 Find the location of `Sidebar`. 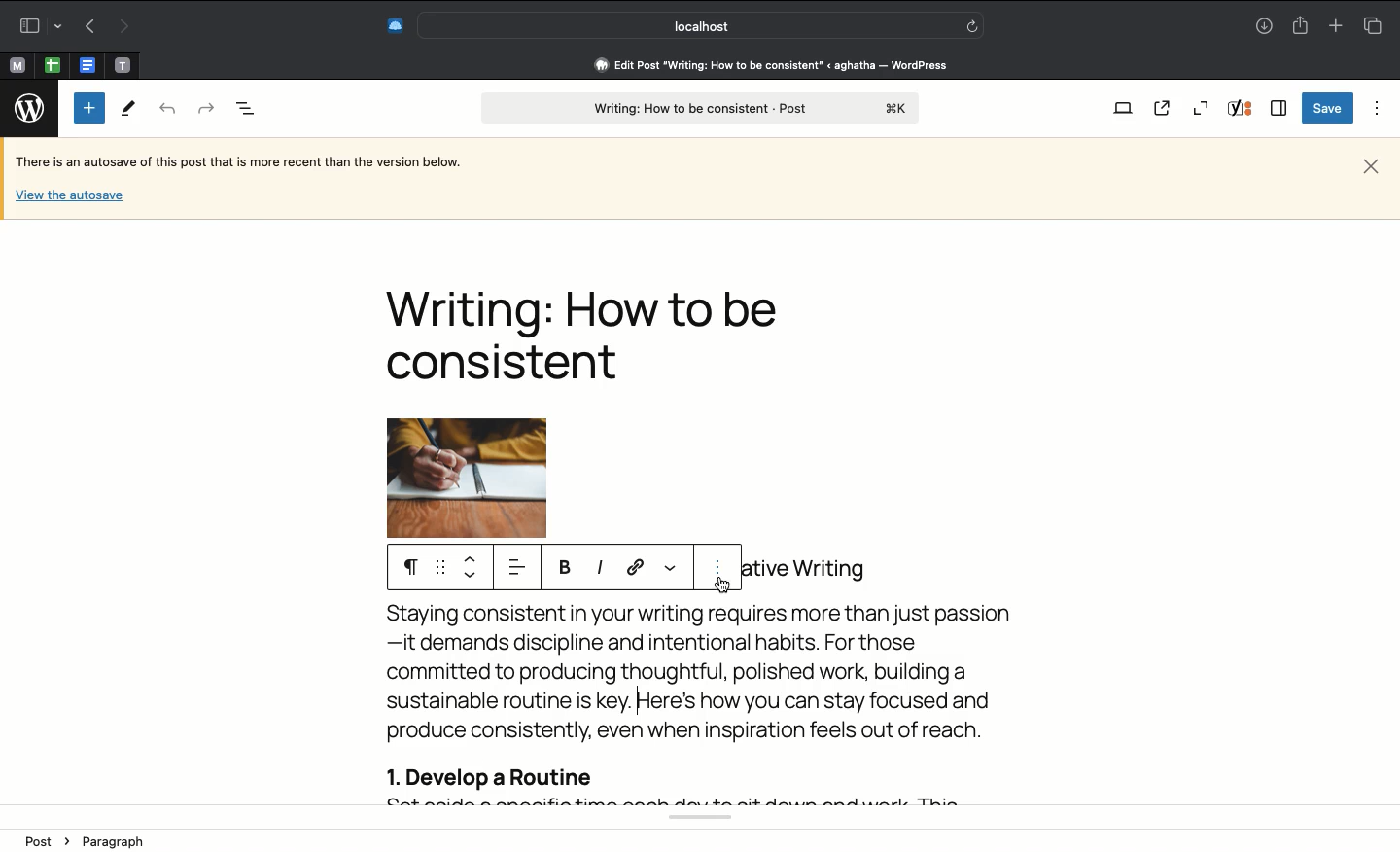

Sidebar is located at coordinates (1279, 108).